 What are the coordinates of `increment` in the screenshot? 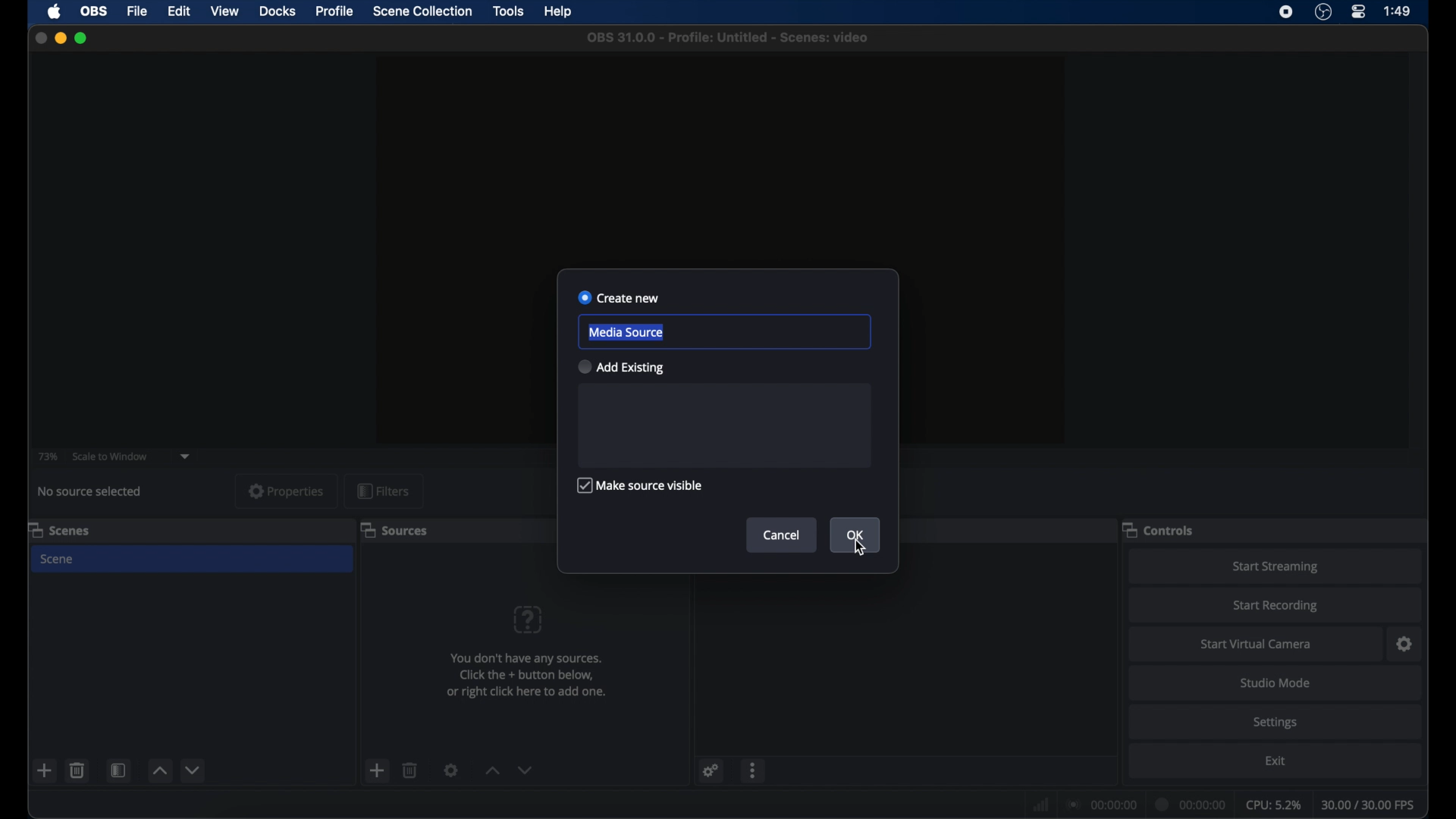 It's located at (491, 770).